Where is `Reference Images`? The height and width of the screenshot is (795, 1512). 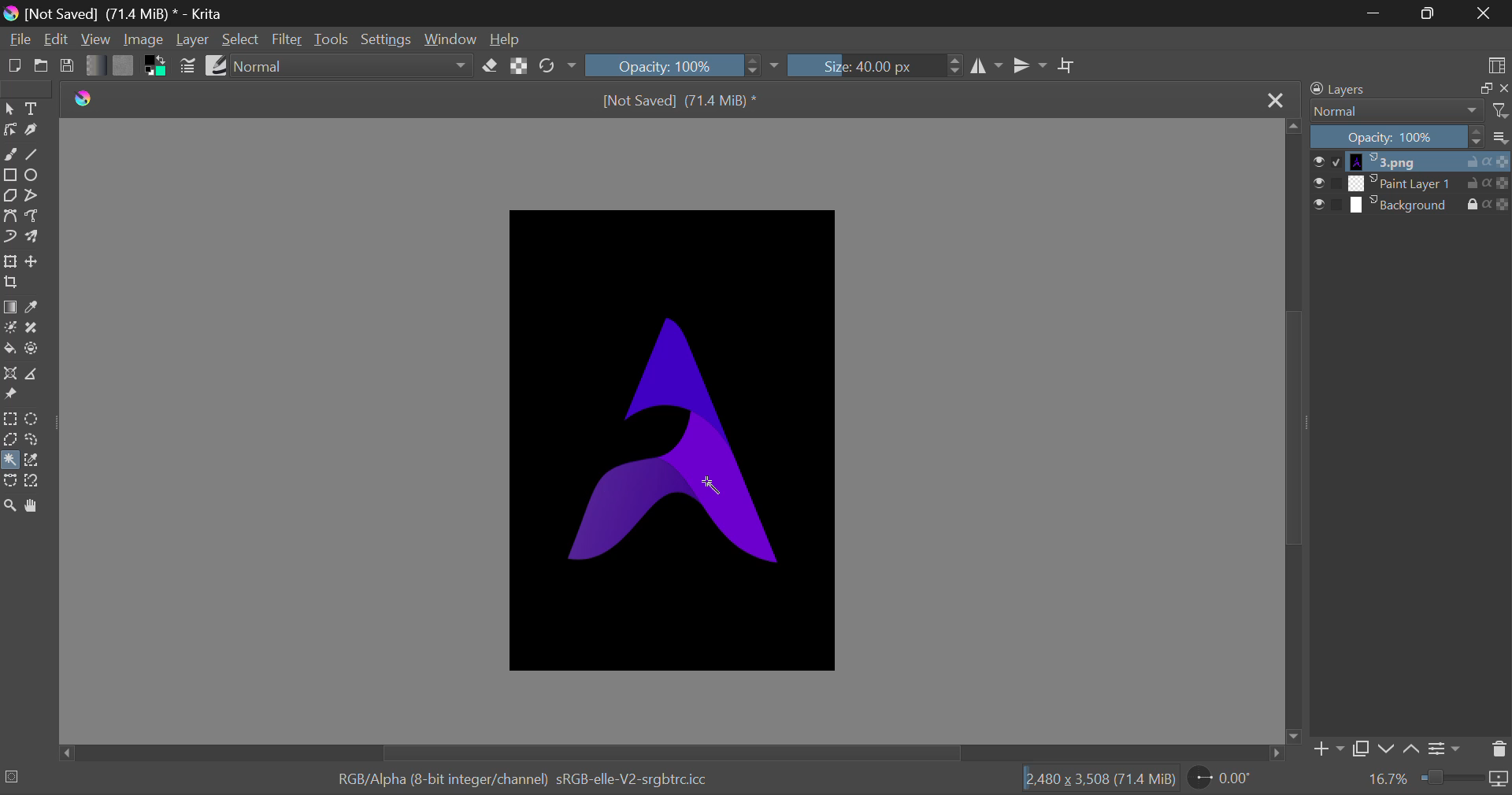
Reference Images is located at coordinates (9, 395).